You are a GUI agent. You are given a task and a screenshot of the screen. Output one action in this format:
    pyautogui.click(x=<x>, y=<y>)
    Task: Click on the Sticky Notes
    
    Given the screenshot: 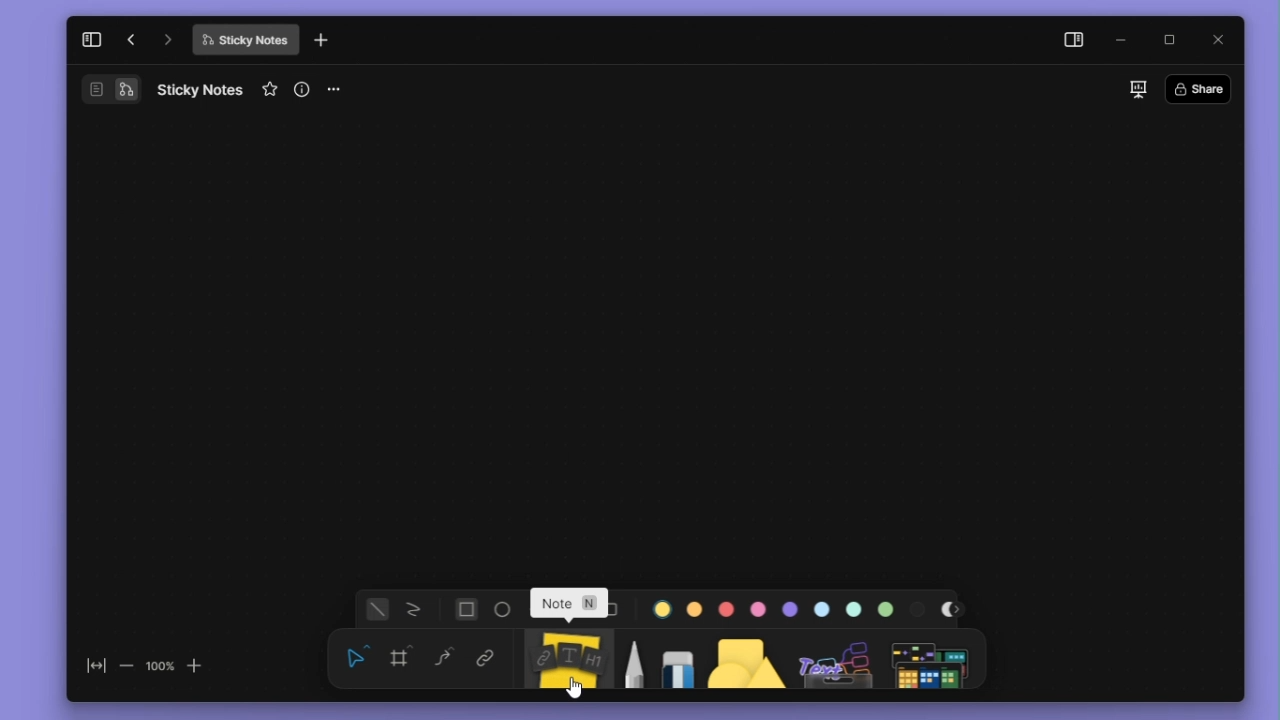 What is the action you would take?
    pyautogui.click(x=243, y=43)
    